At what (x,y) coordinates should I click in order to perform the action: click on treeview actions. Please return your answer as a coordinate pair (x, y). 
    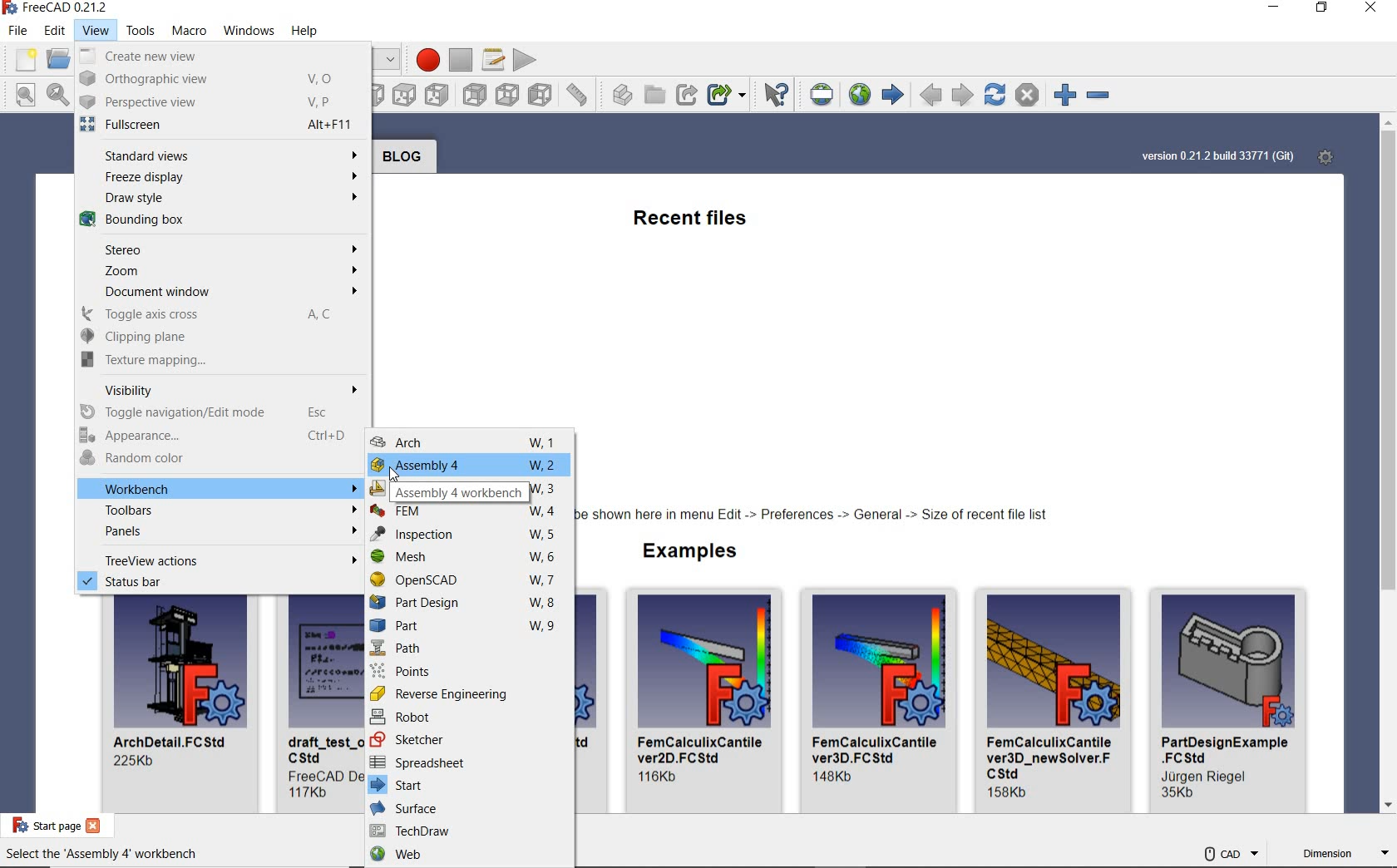
    Looking at the image, I should click on (220, 559).